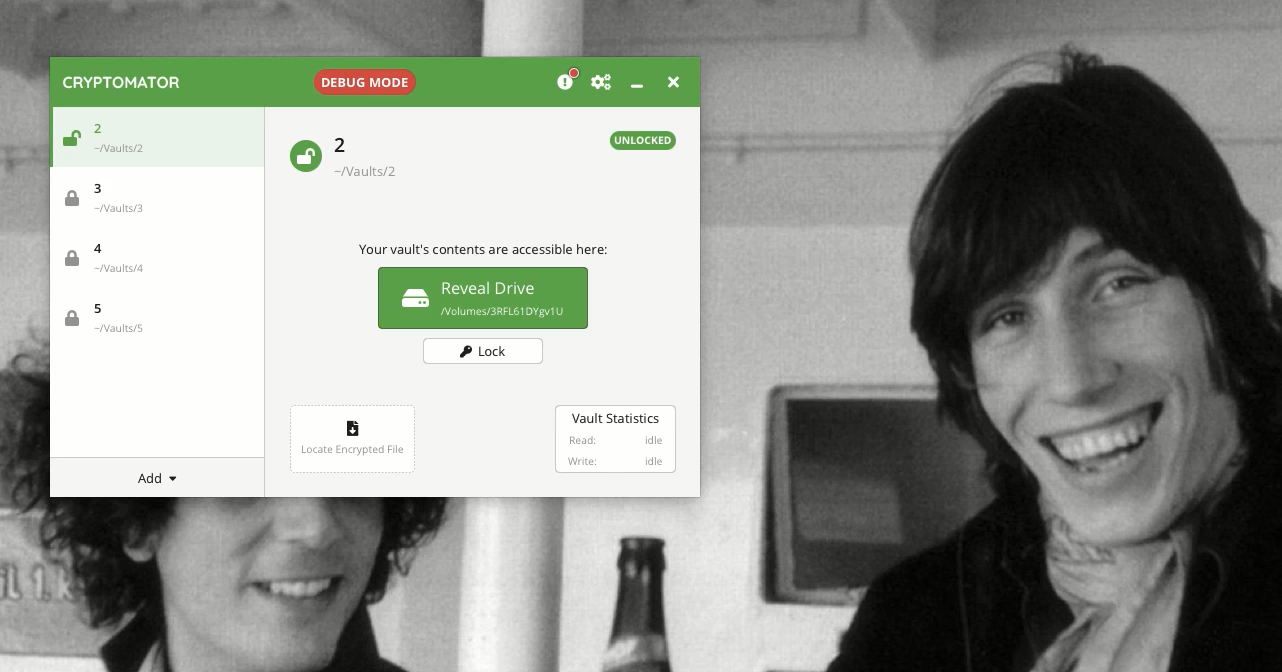 The image size is (1282, 672). I want to click on Vault 4, so click(112, 261).